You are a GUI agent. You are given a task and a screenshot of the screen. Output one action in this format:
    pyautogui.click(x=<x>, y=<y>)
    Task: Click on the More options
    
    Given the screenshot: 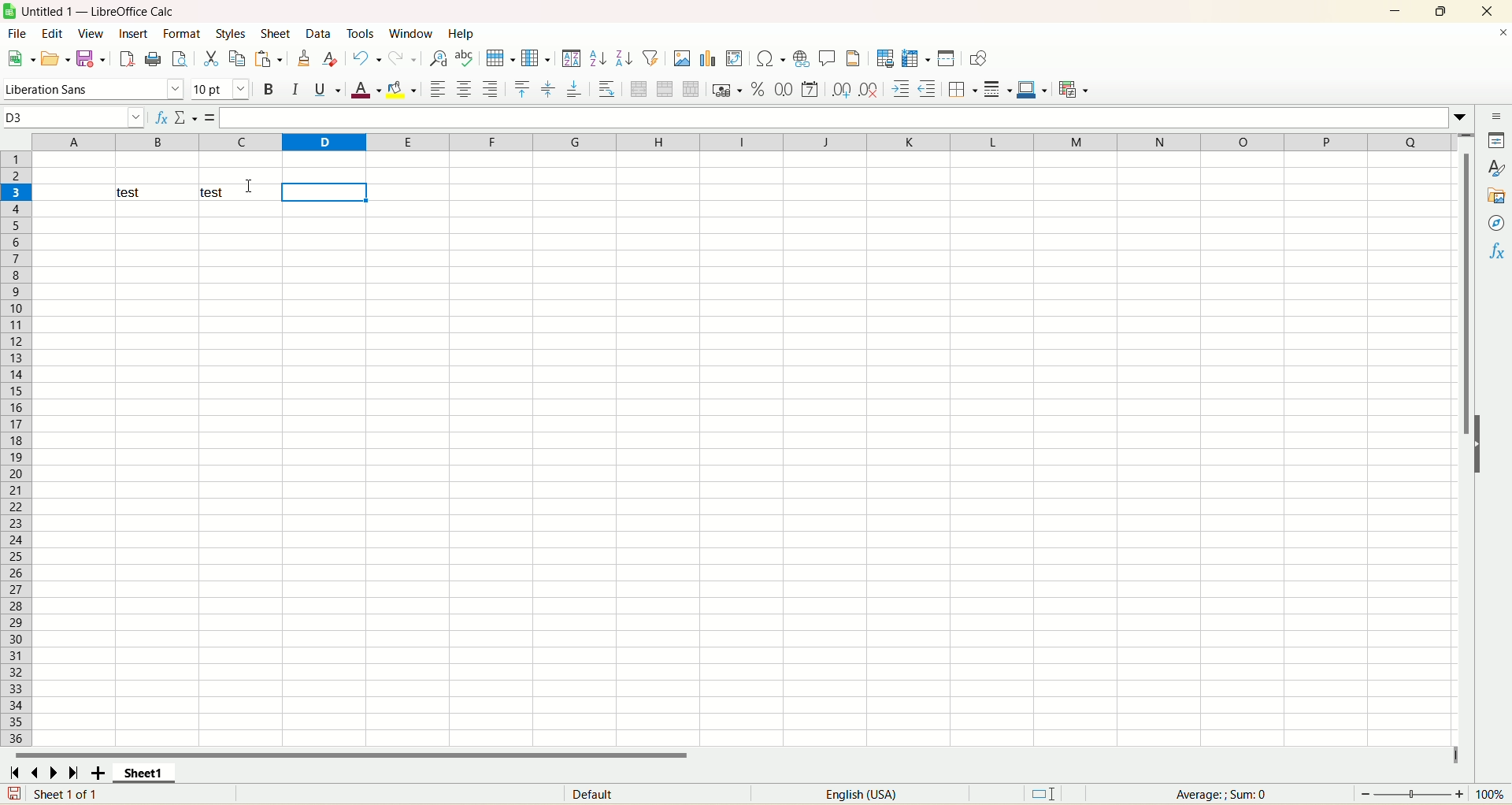 What is the action you would take?
    pyautogui.click(x=1460, y=118)
    